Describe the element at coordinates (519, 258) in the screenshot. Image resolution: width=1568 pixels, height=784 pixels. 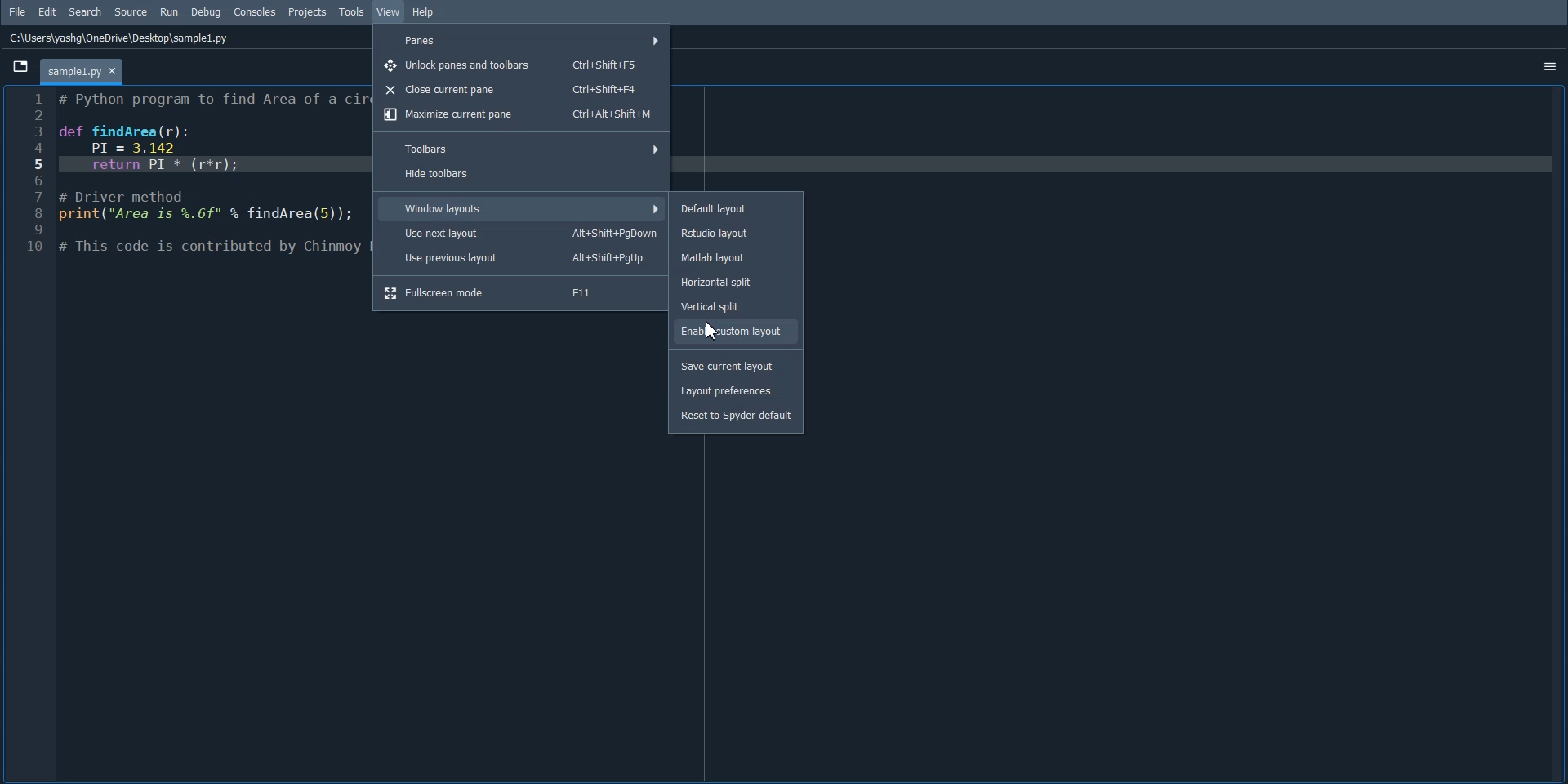
I see `Use Previous layout` at that location.